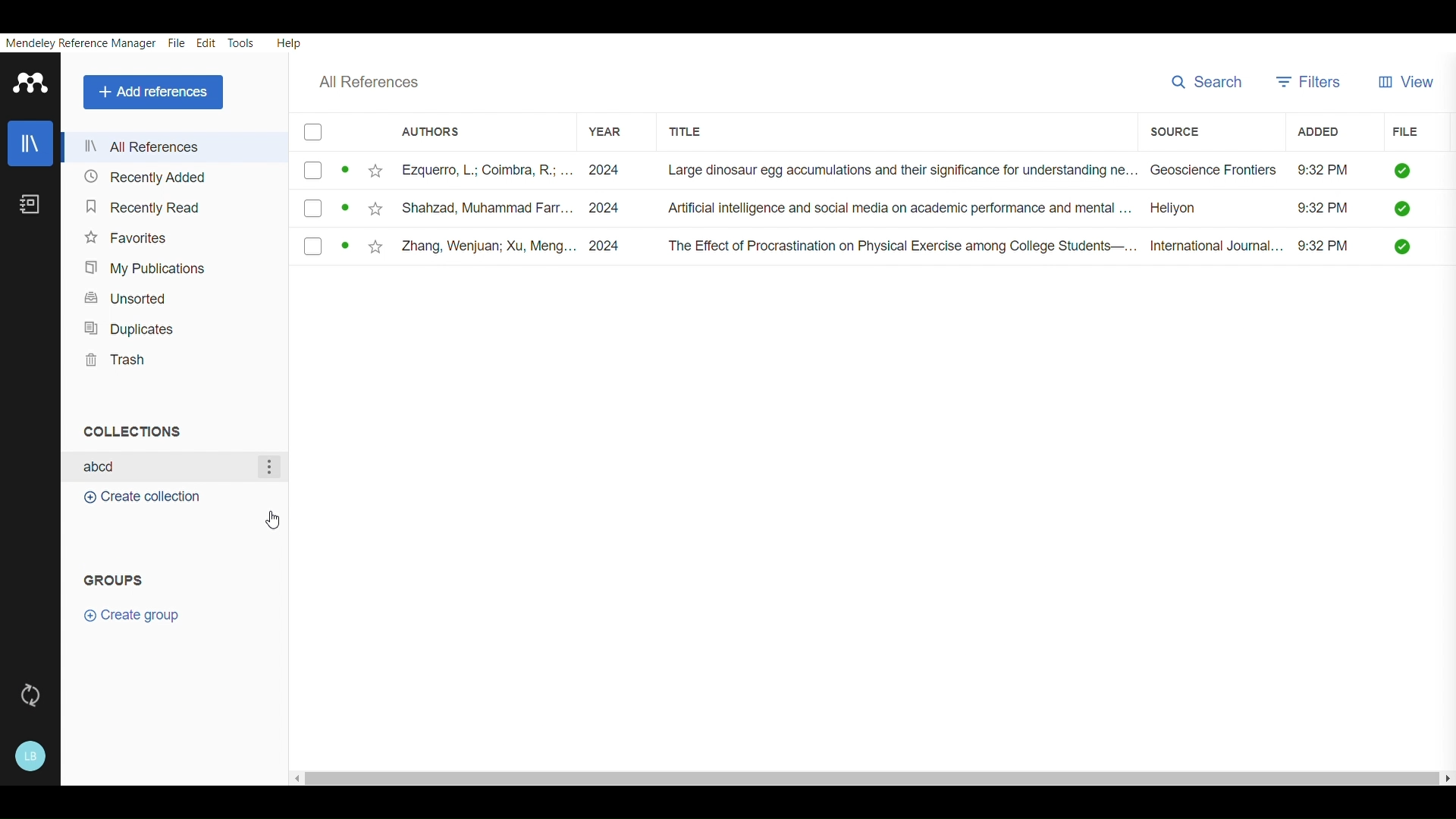  I want to click on checkbox, so click(322, 172).